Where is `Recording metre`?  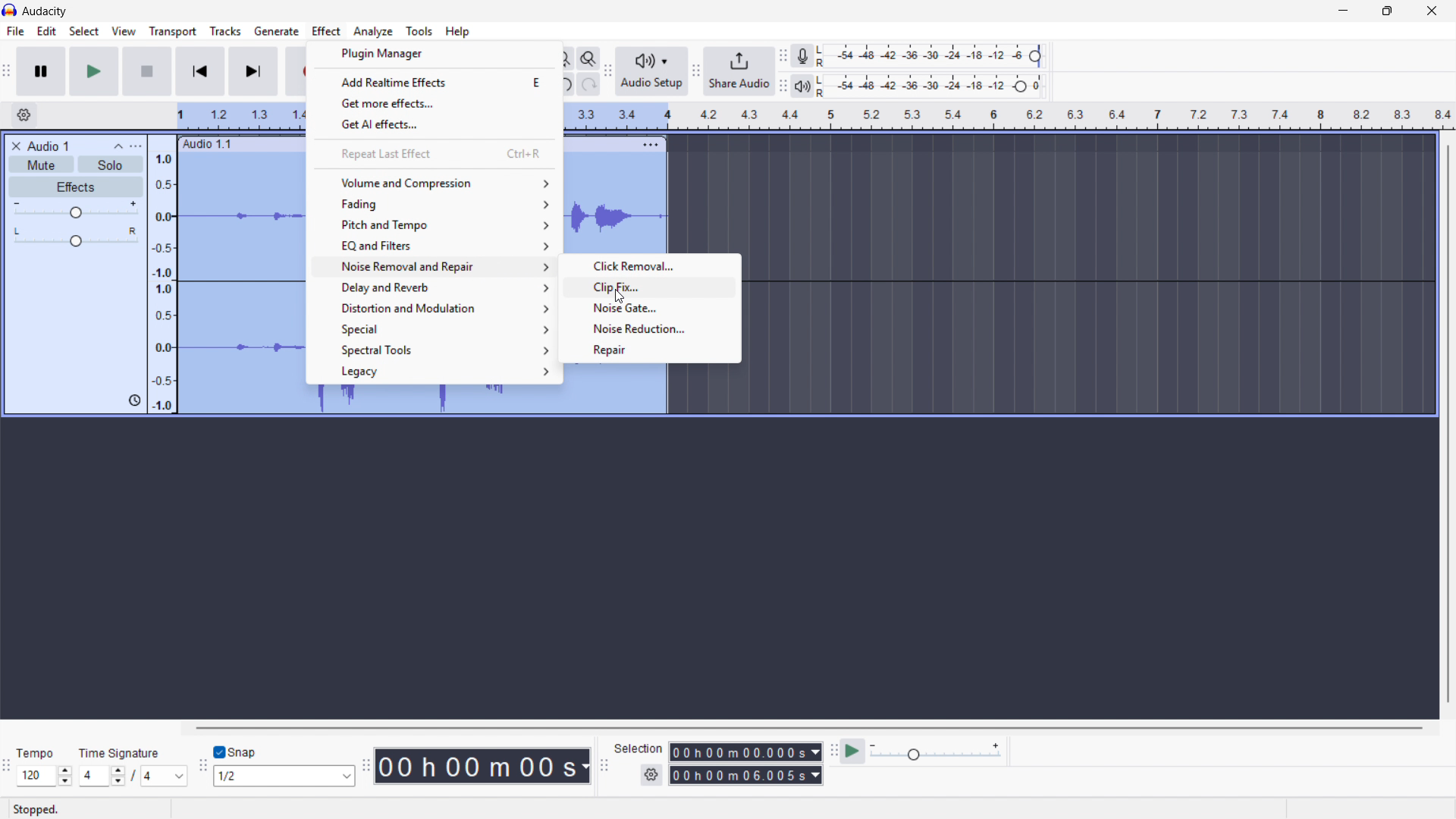
Recording metre is located at coordinates (802, 56).